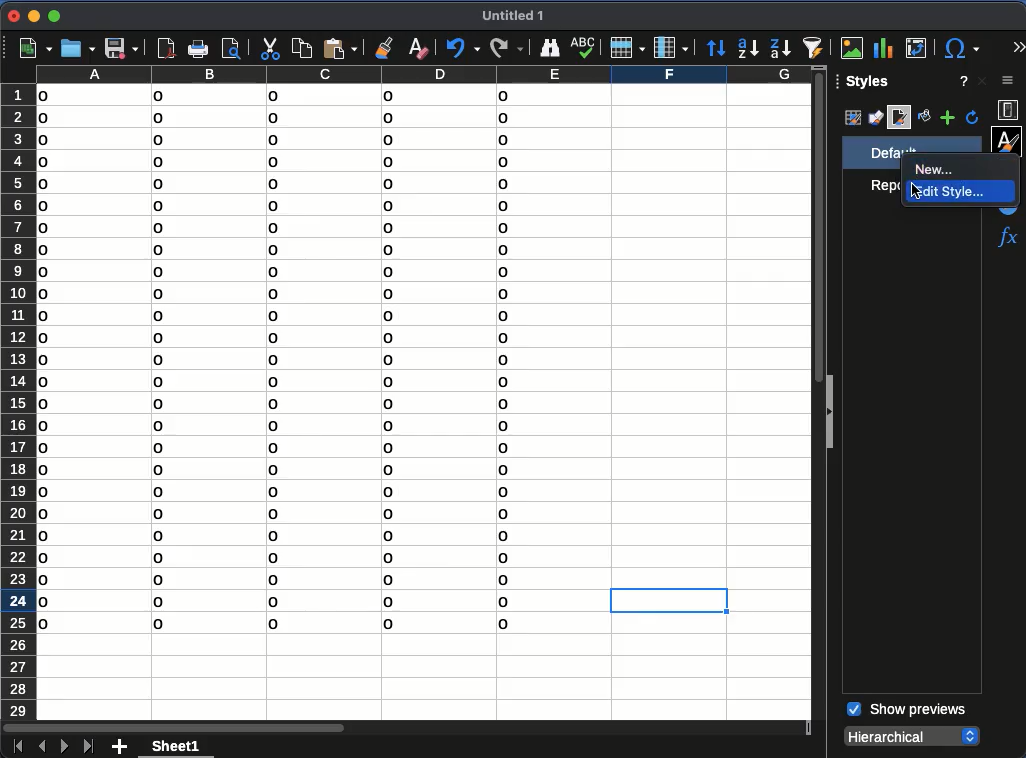 This screenshot has width=1026, height=758. I want to click on cell styles, so click(850, 118).